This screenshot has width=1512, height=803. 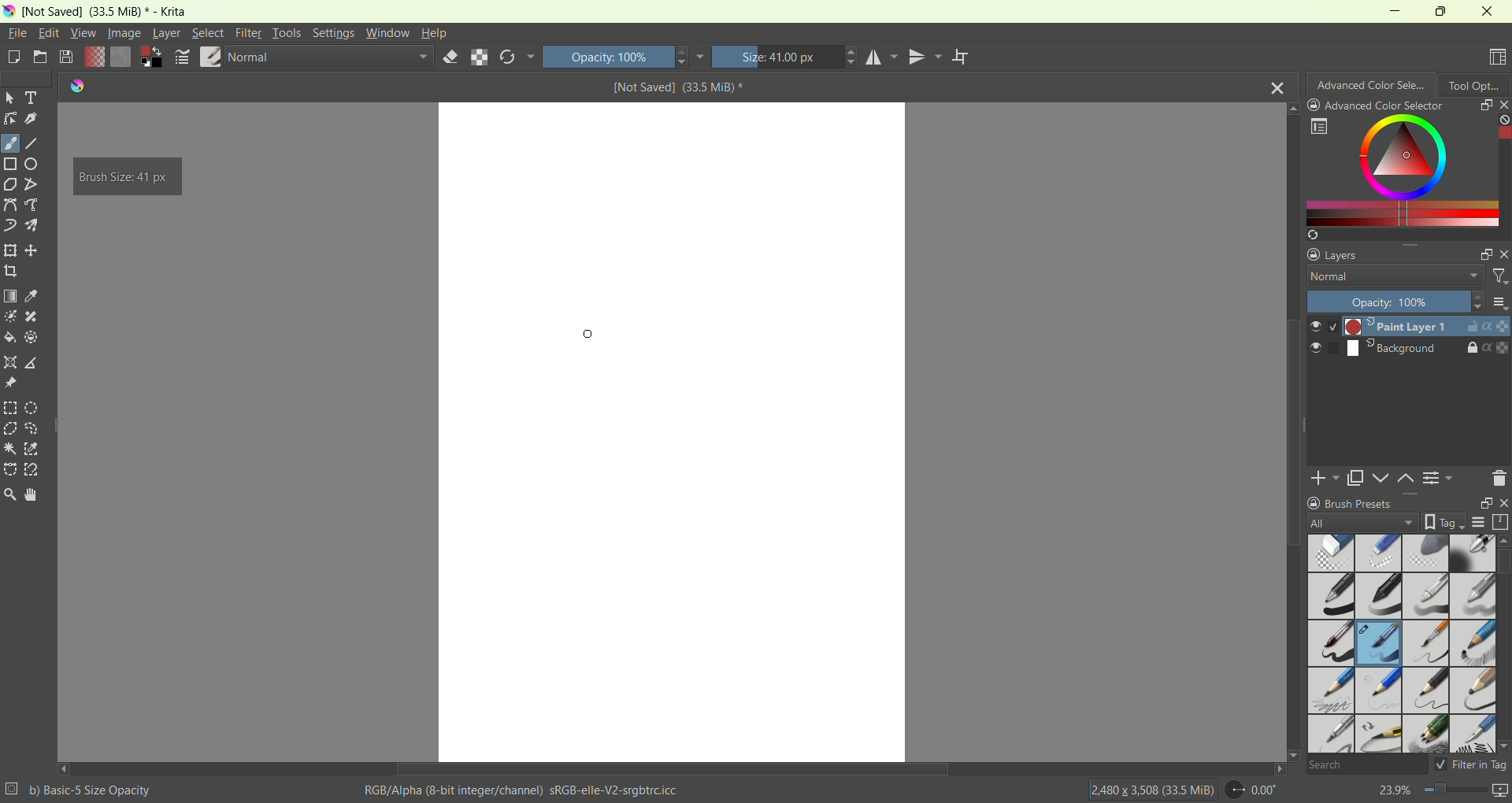 I want to click on image, so click(x=126, y=33).